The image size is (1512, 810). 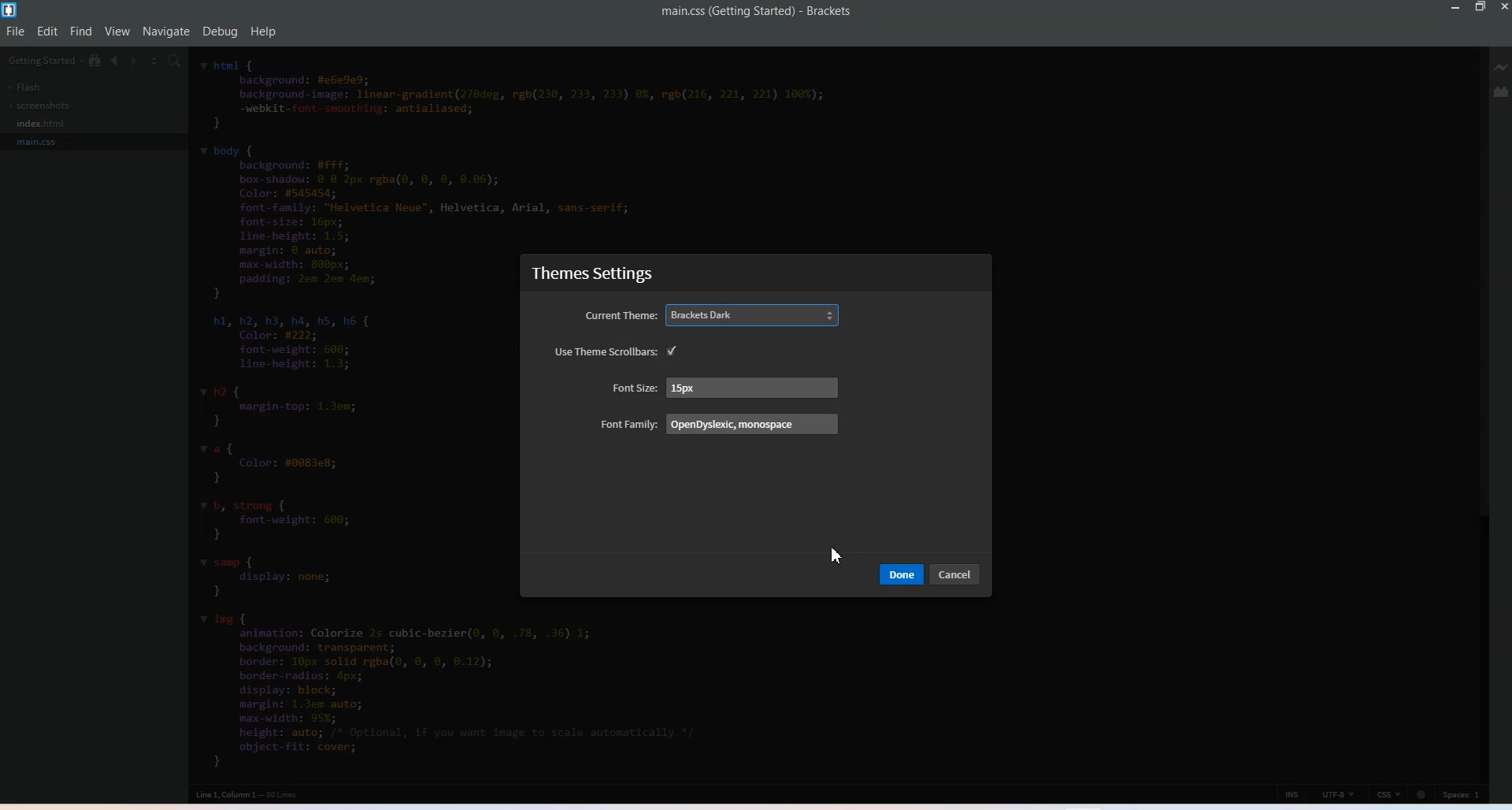 I want to click on INS, so click(x=1292, y=793).